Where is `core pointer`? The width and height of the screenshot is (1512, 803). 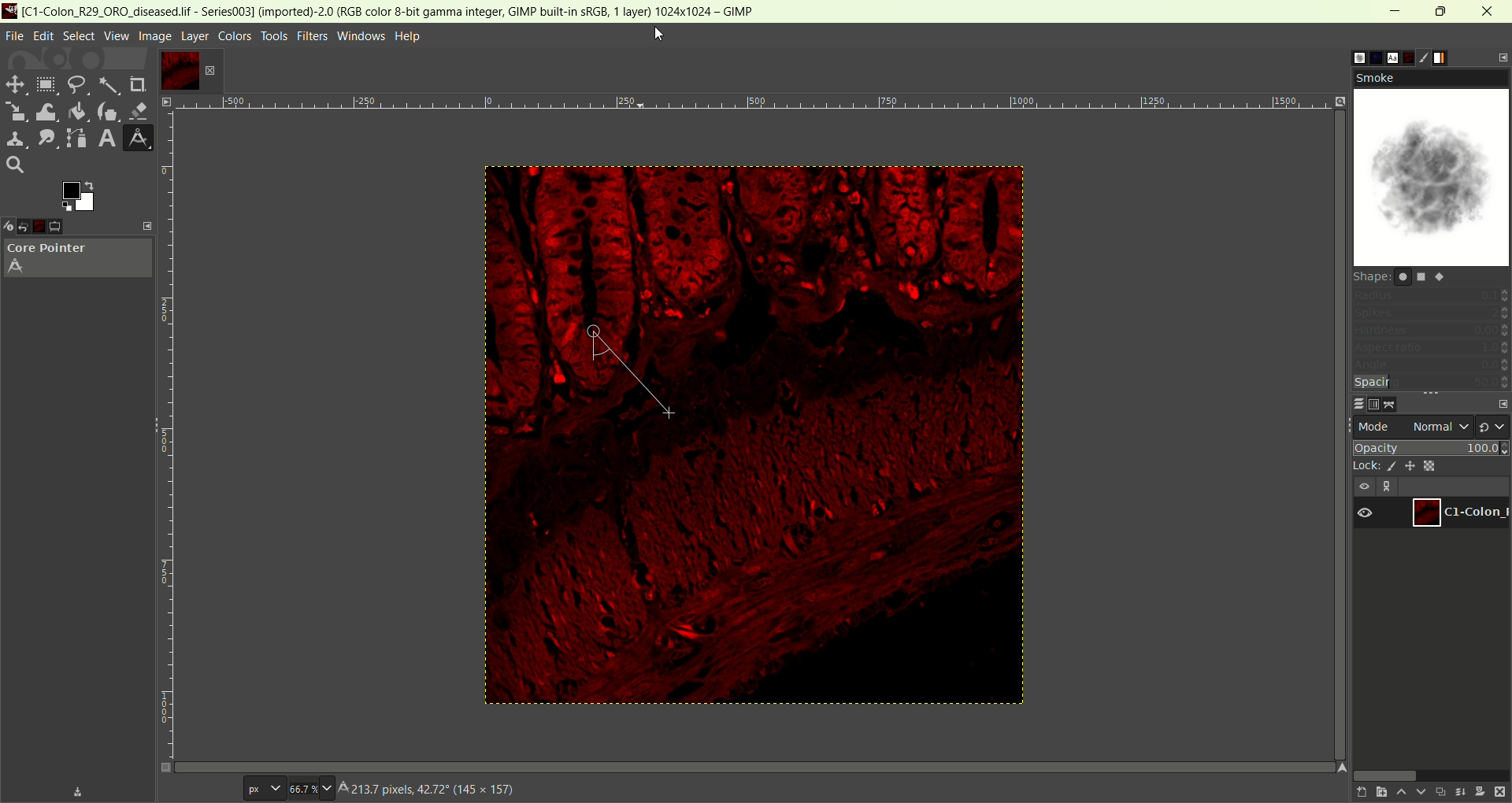
core pointer is located at coordinates (78, 260).